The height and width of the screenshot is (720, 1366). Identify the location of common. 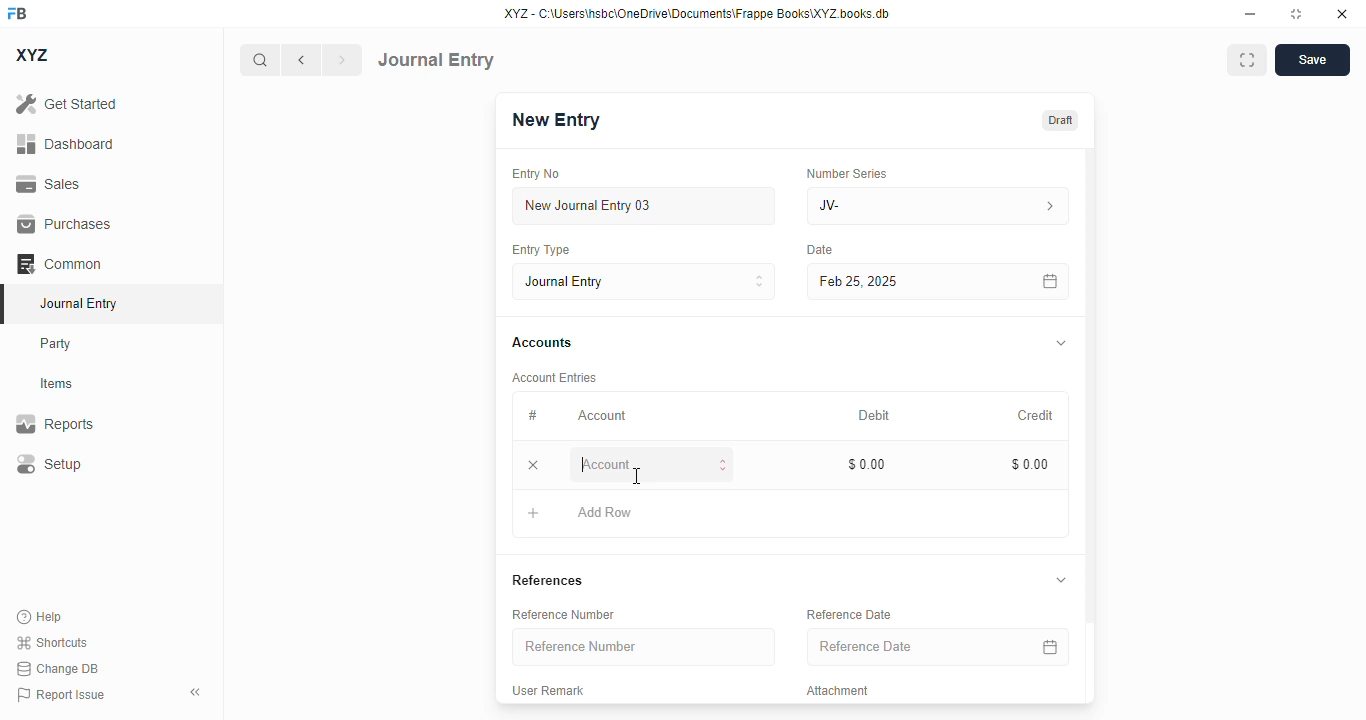
(59, 264).